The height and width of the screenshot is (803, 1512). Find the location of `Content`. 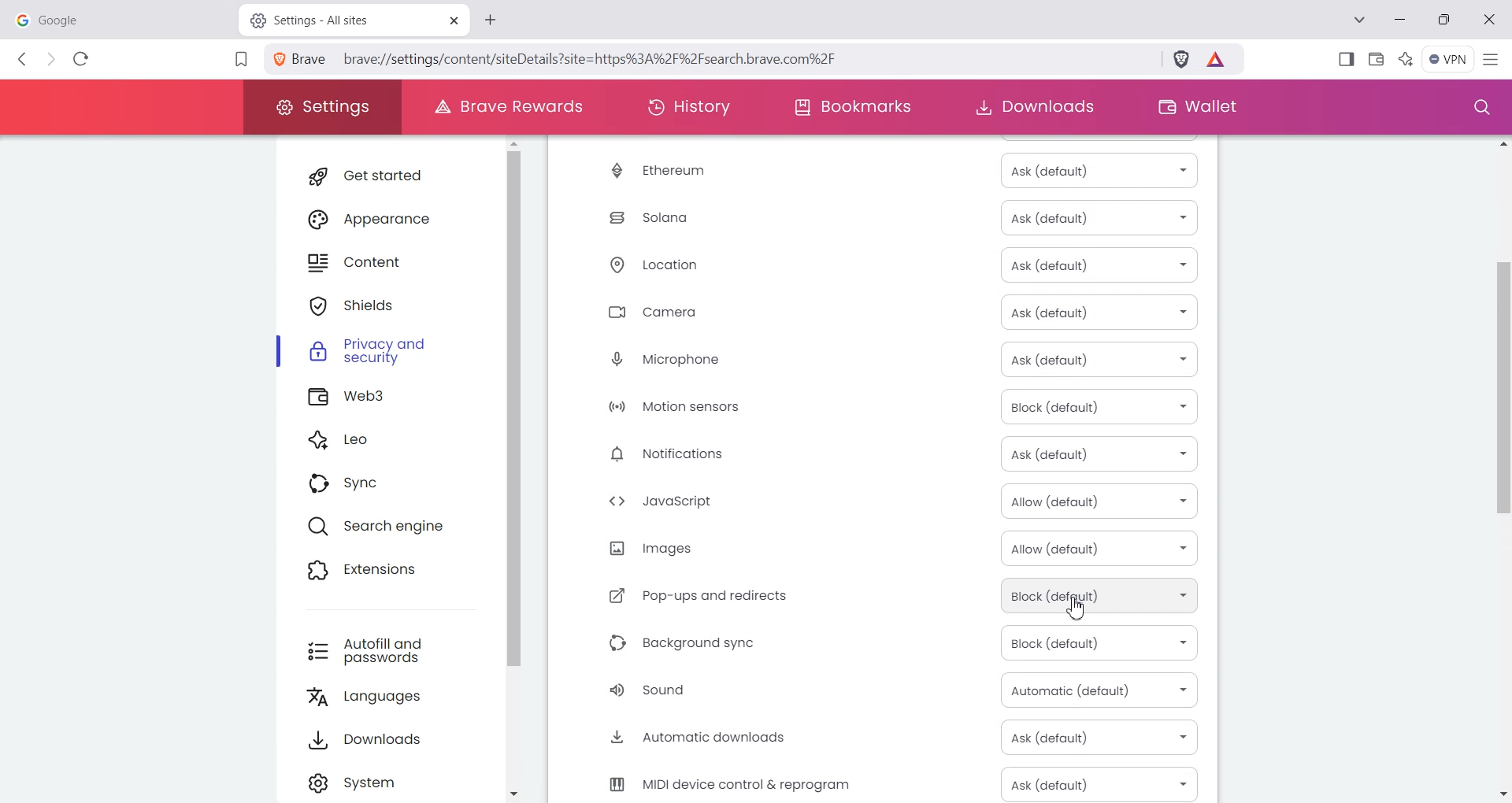

Content is located at coordinates (388, 263).